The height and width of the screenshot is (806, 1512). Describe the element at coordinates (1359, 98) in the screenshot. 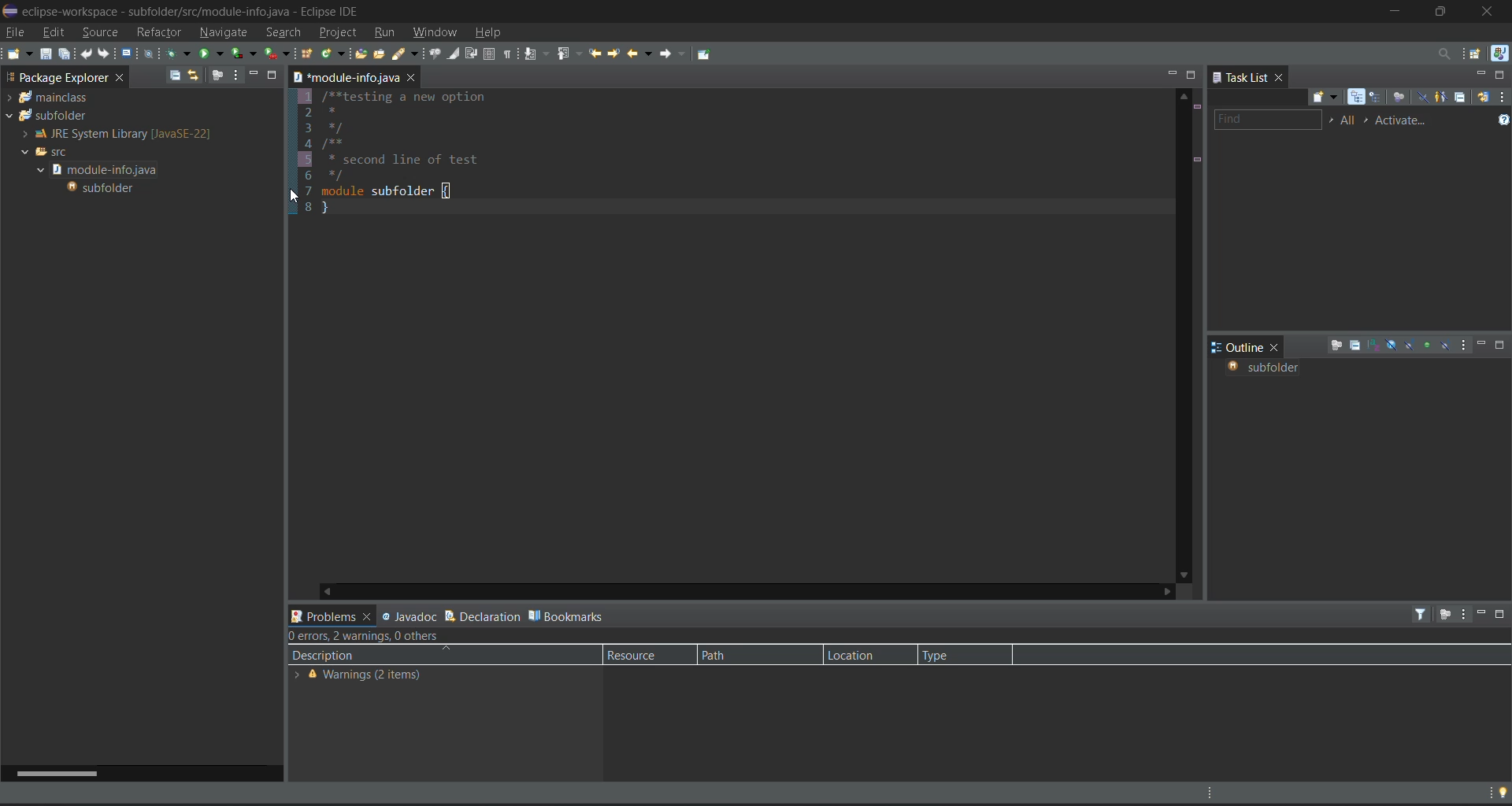

I see `categorized` at that location.